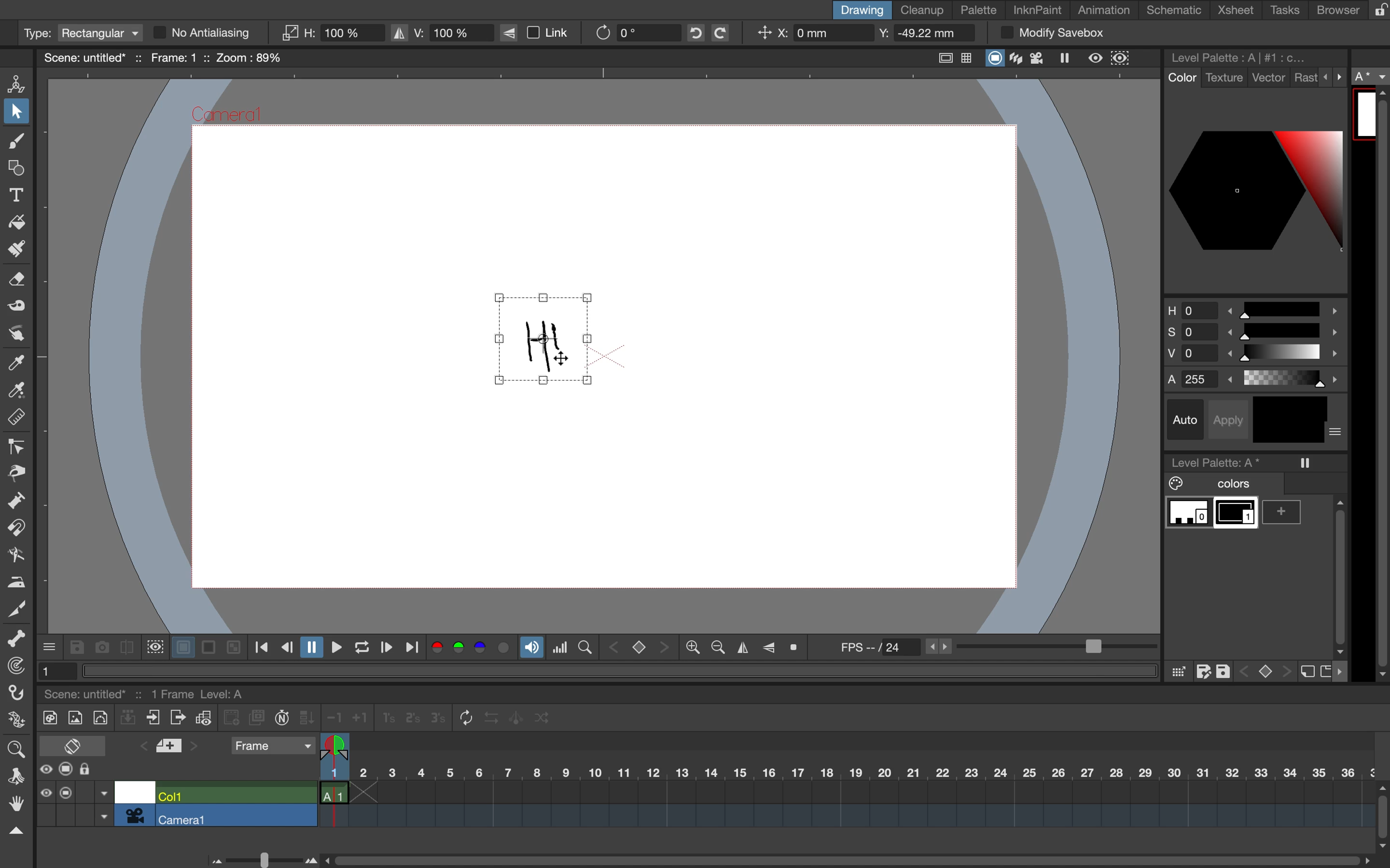 The height and width of the screenshot is (868, 1390). Describe the element at coordinates (1337, 433) in the screenshot. I see `more options` at that location.